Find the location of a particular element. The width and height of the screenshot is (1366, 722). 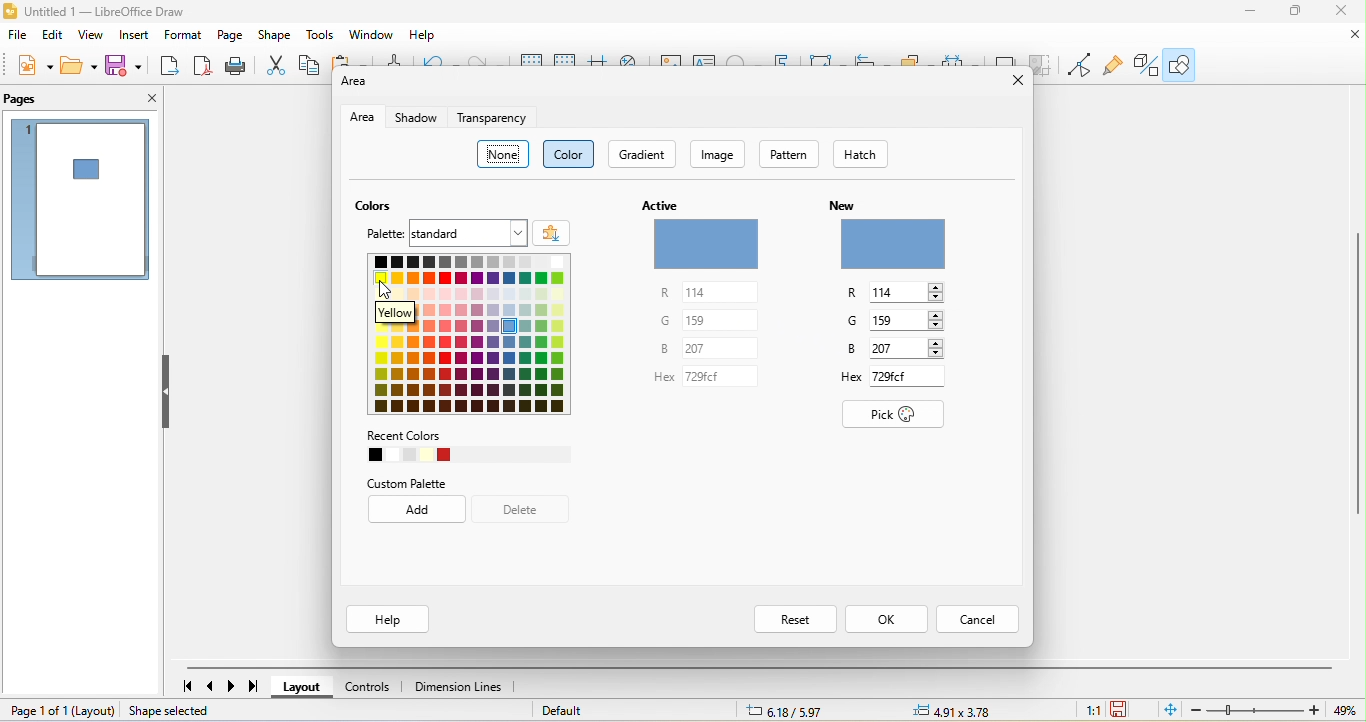

hide is located at coordinates (172, 393).